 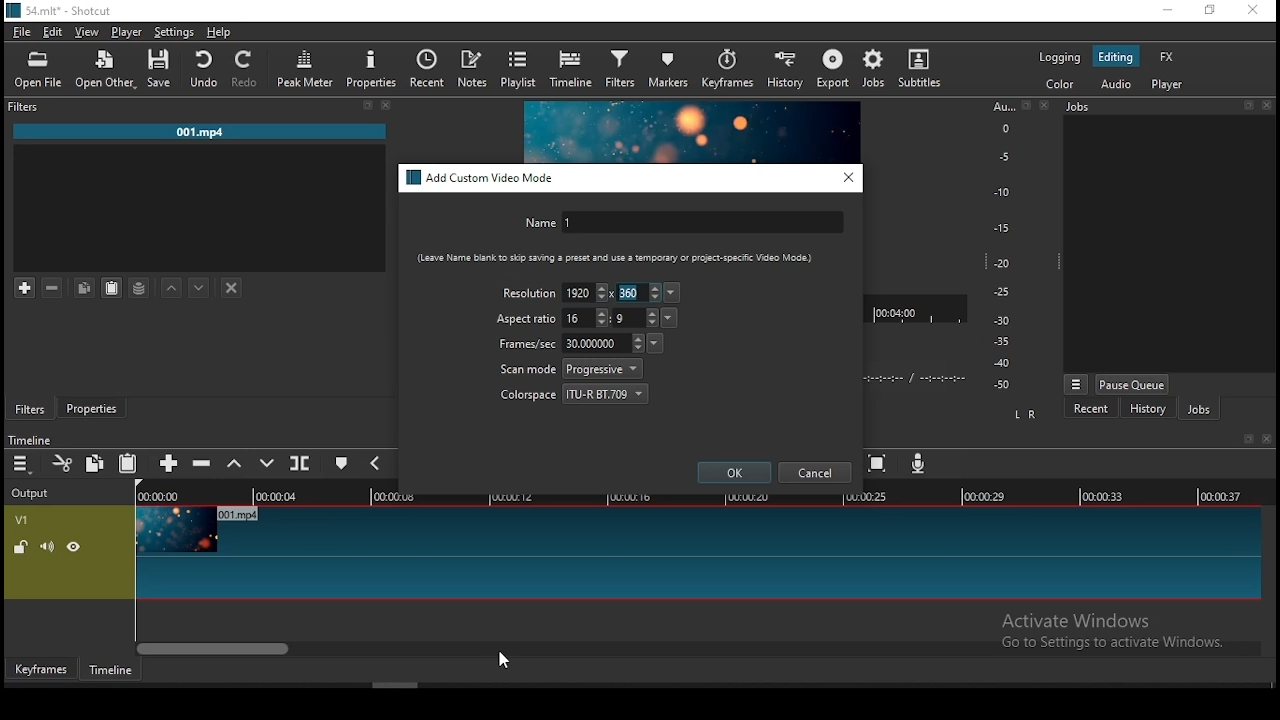 I want to click on copy, so click(x=84, y=287).